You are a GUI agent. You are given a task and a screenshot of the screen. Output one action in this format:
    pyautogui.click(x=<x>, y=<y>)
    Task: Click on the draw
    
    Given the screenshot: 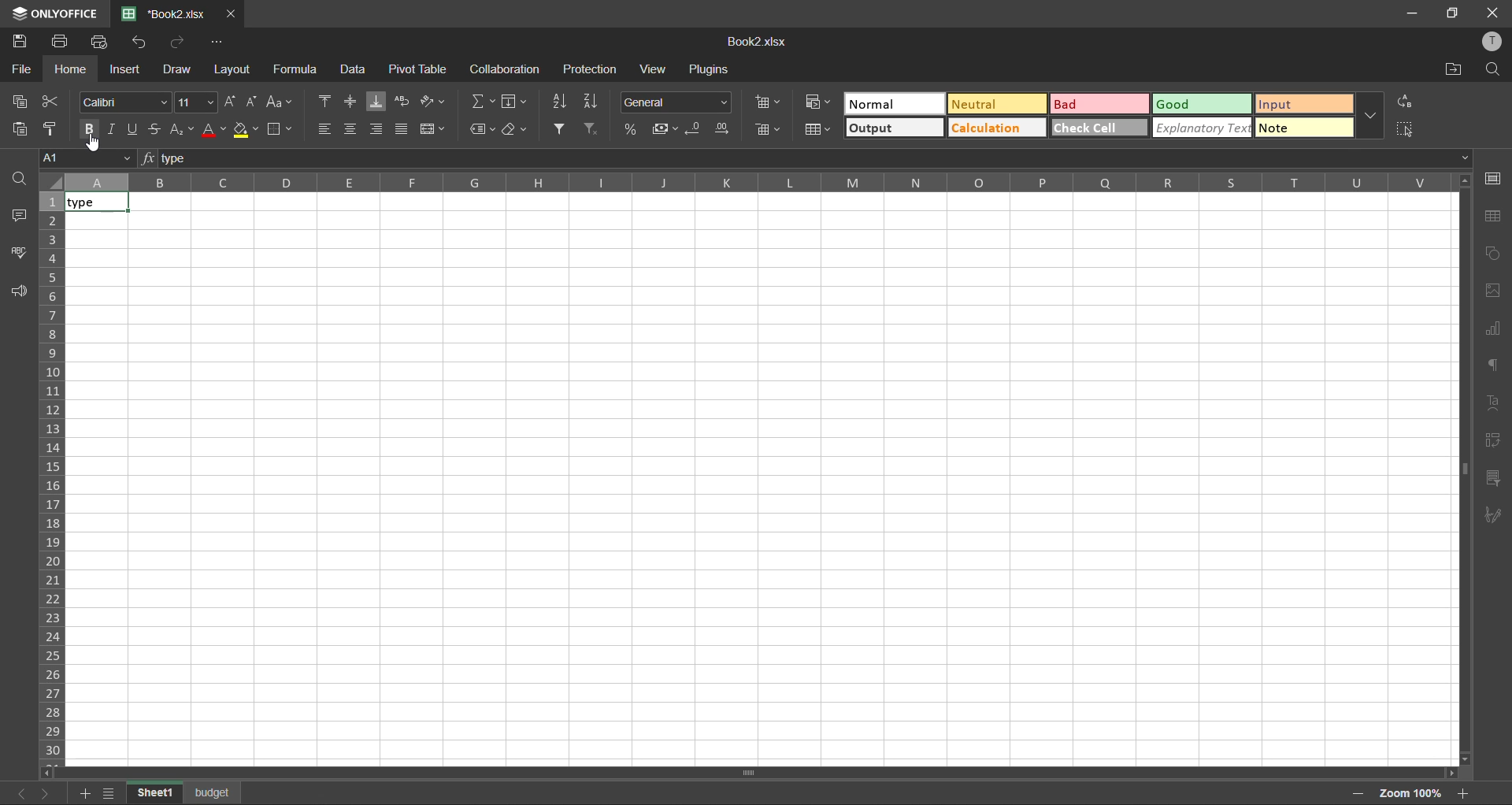 What is the action you would take?
    pyautogui.click(x=179, y=70)
    